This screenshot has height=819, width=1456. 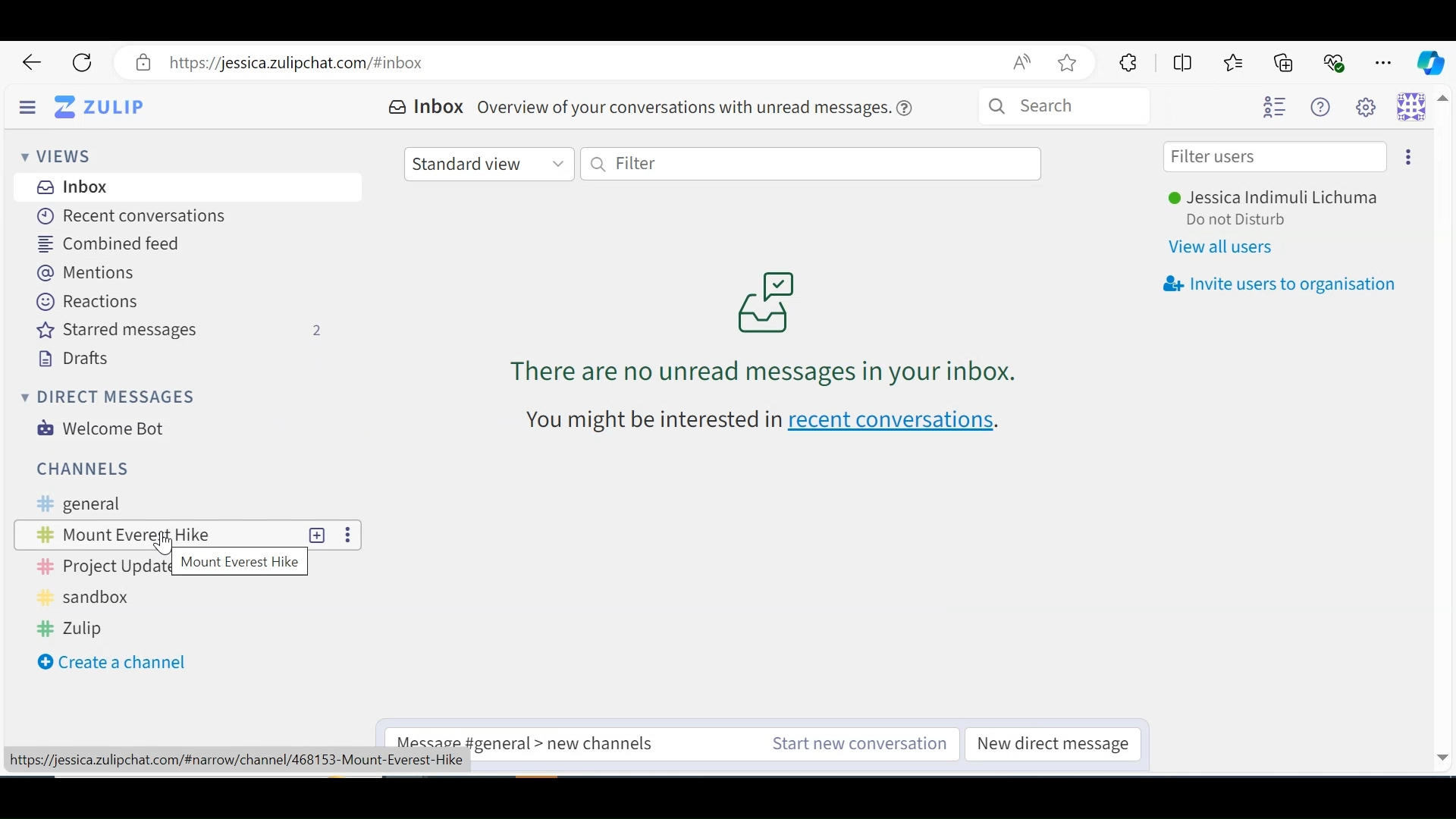 What do you see at coordinates (1414, 108) in the screenshot?
I see `Personal menu` at bounding box center [1414, 108].